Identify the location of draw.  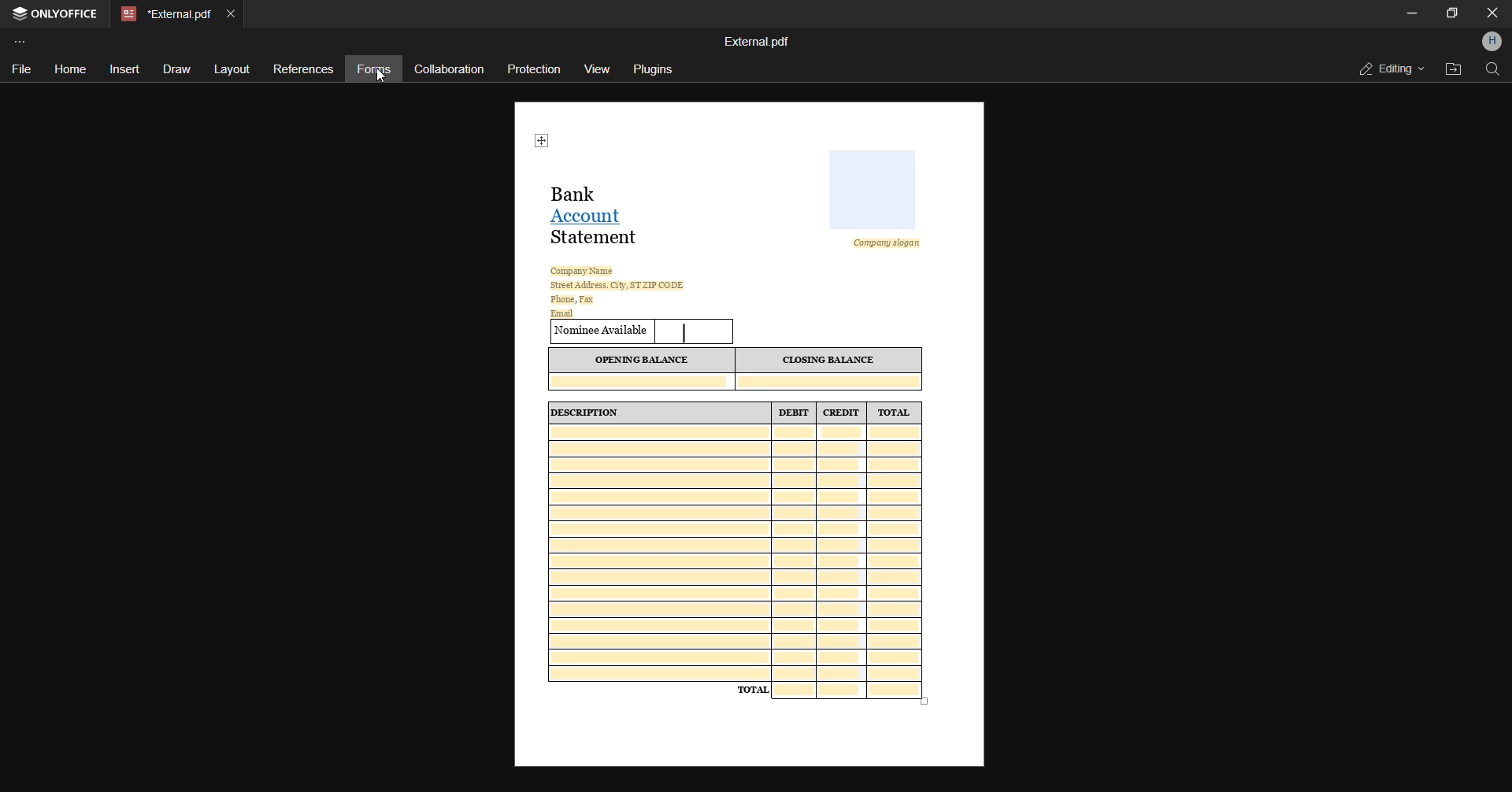
(172, 71).